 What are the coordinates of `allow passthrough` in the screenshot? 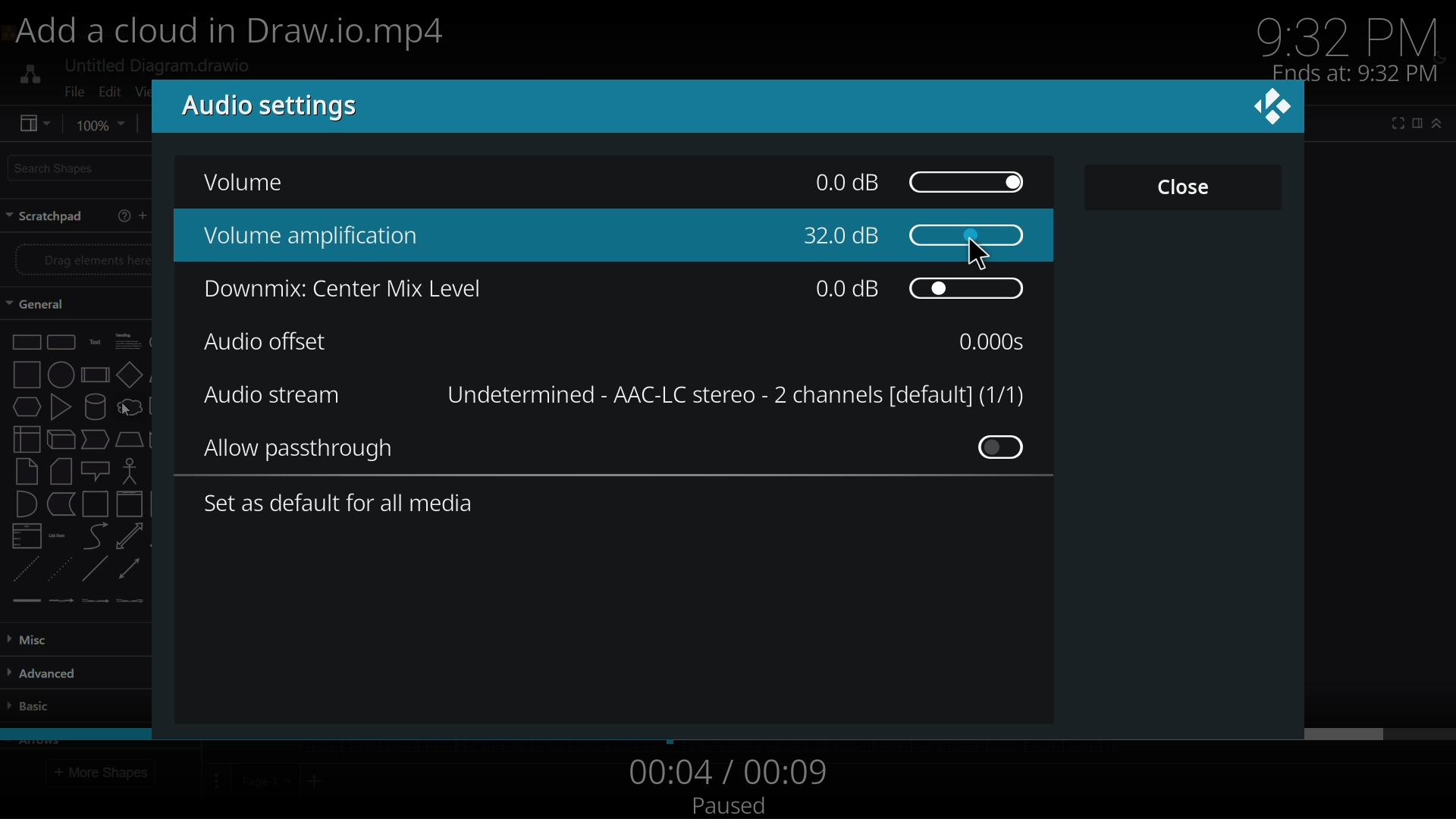 It's located at (624, 450).